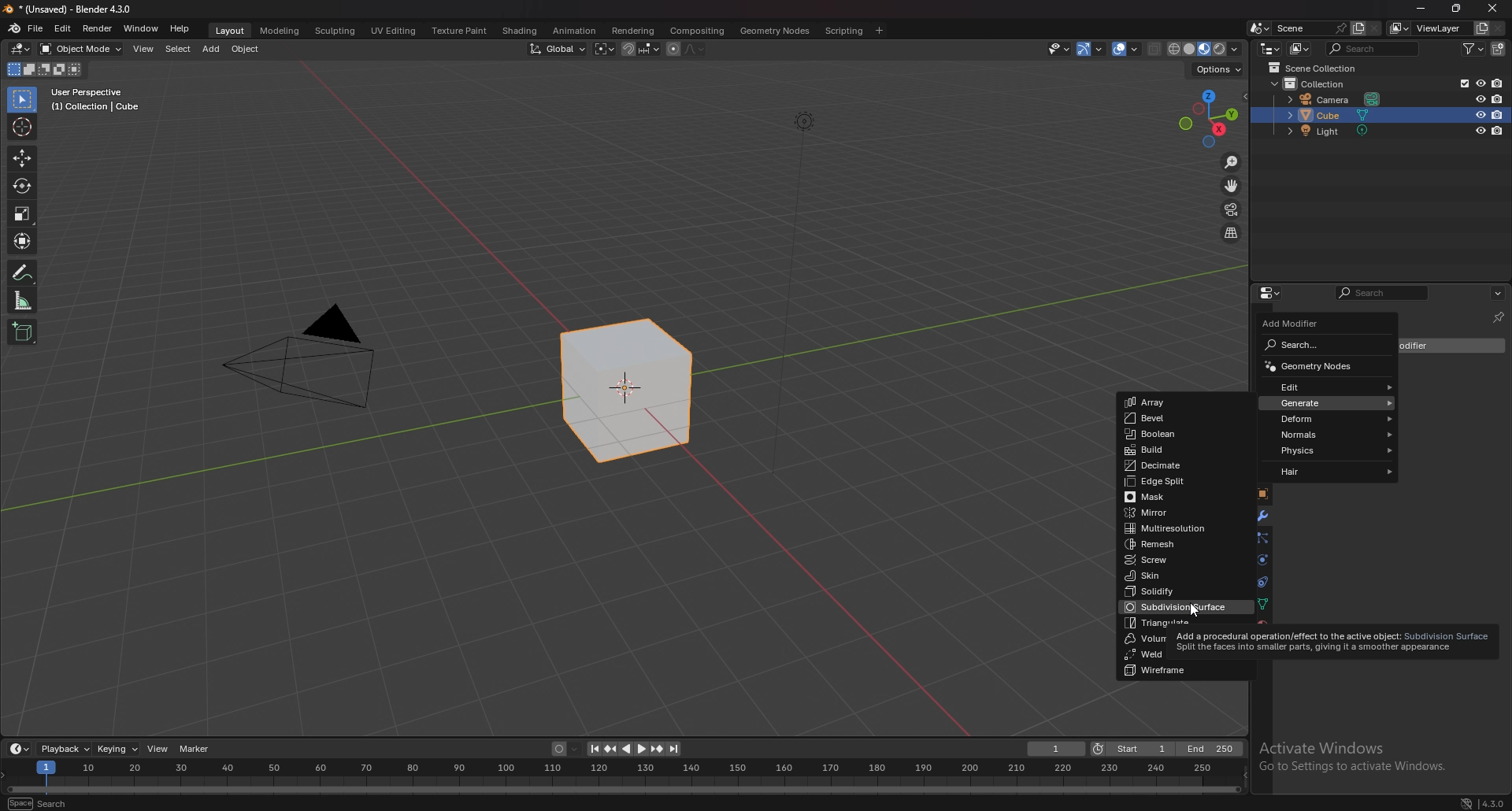 This screenshot has width=1512, height=811. Describe the element at coordinates (180, 28) in the screenshot. I see `help` at that location.